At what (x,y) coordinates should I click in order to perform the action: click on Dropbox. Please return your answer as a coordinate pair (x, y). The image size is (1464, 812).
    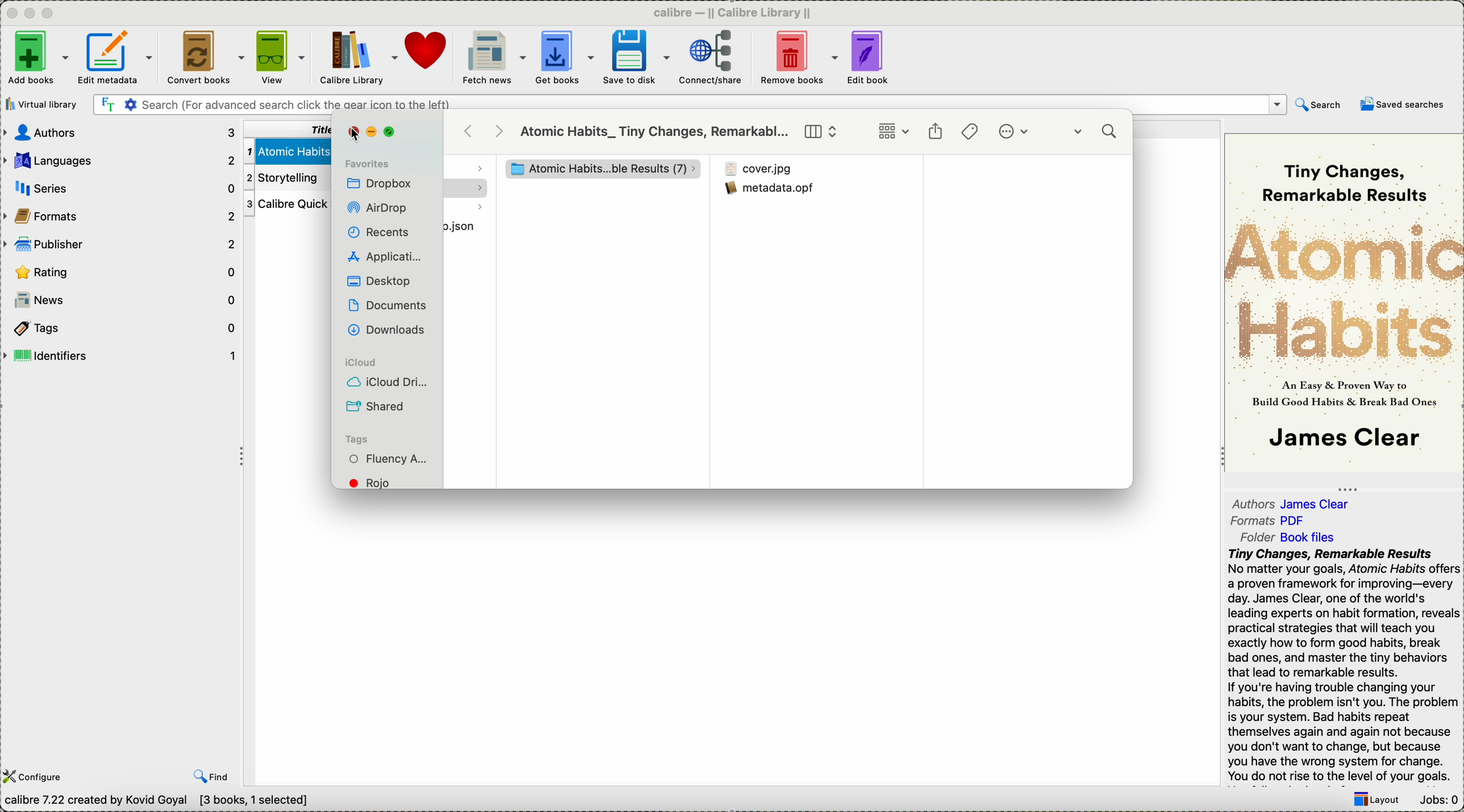
    Looking at the image, I should click on (380, 185).